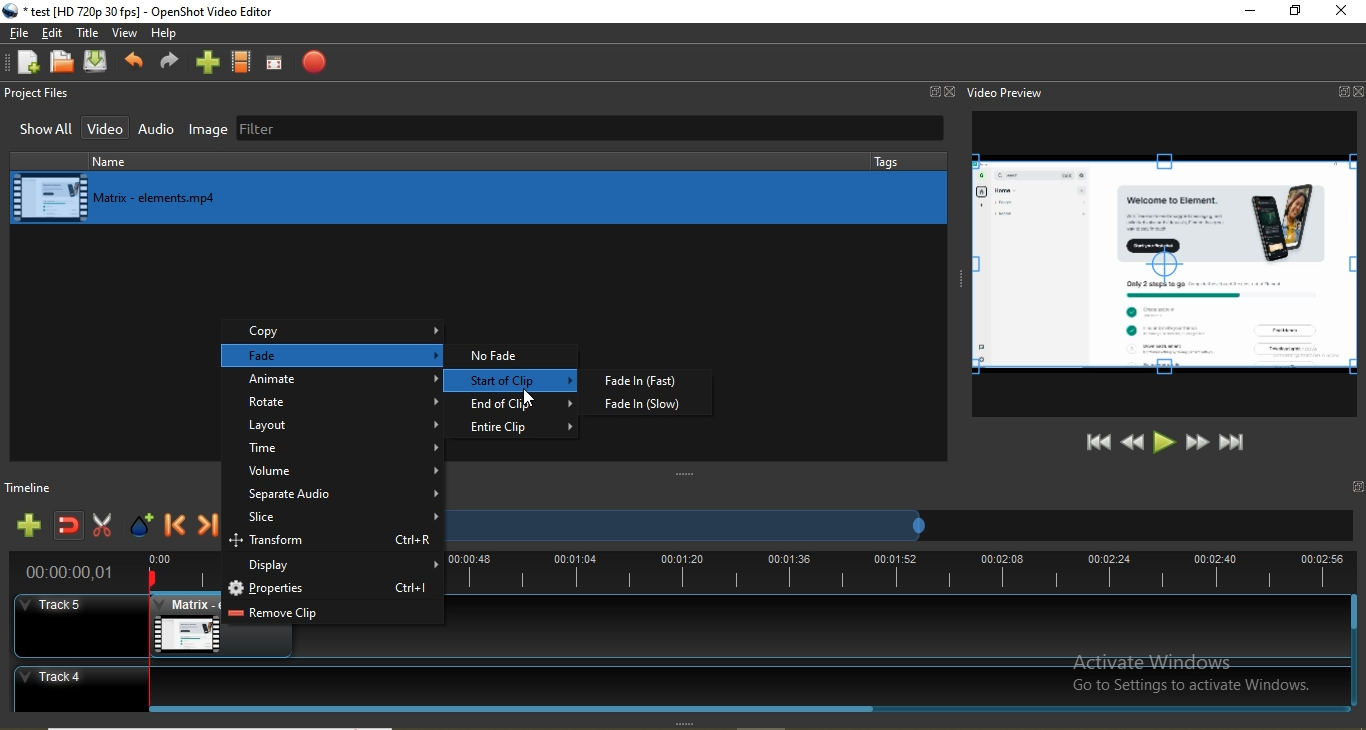 The image size is (1366, 730). What do you see at coordinates (524, 406) in the screenshot?
I see `end of clip` at bounding box center [524, 406].